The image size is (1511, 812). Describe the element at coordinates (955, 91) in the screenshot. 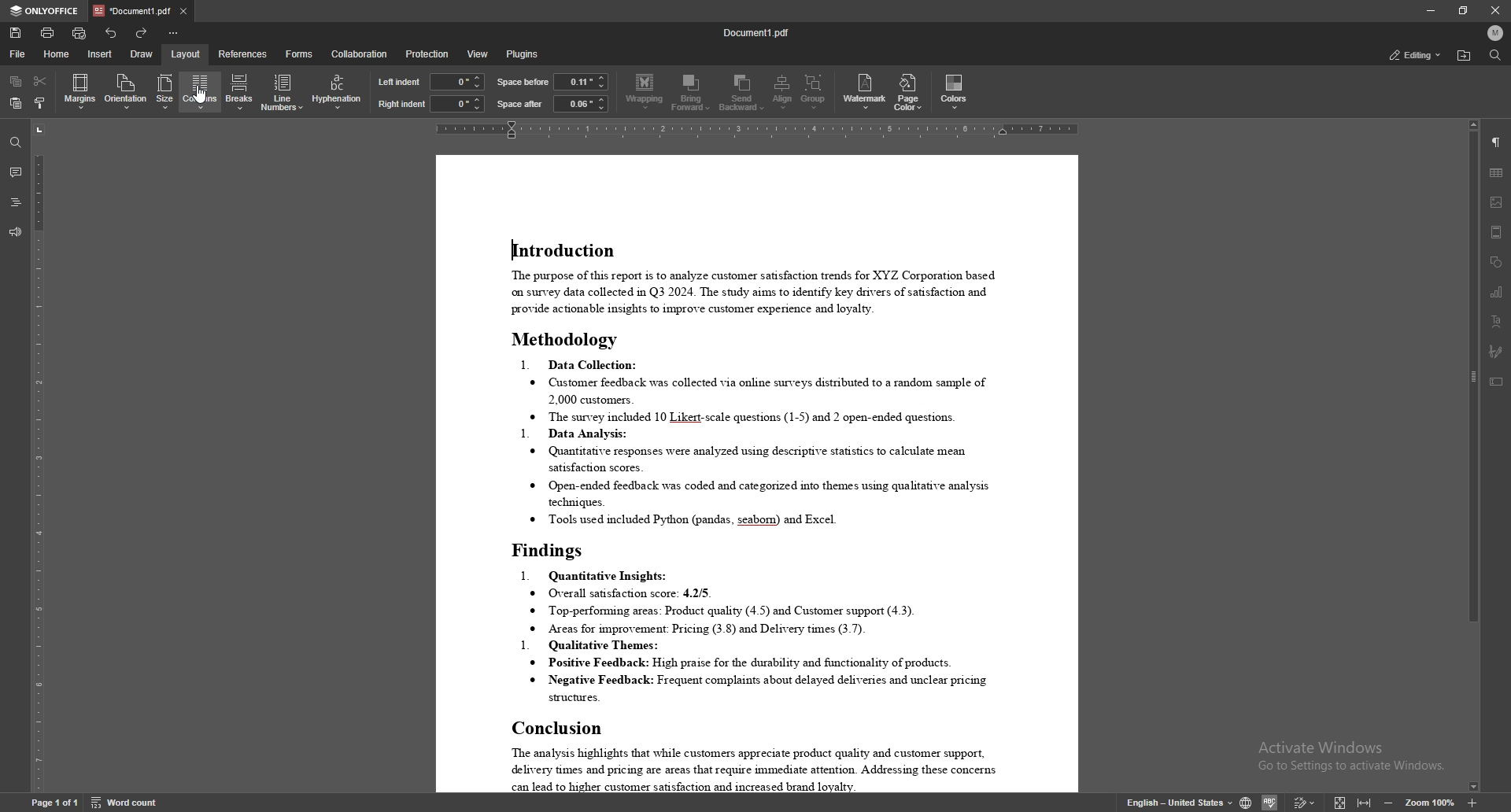

I see `colors` at that location.